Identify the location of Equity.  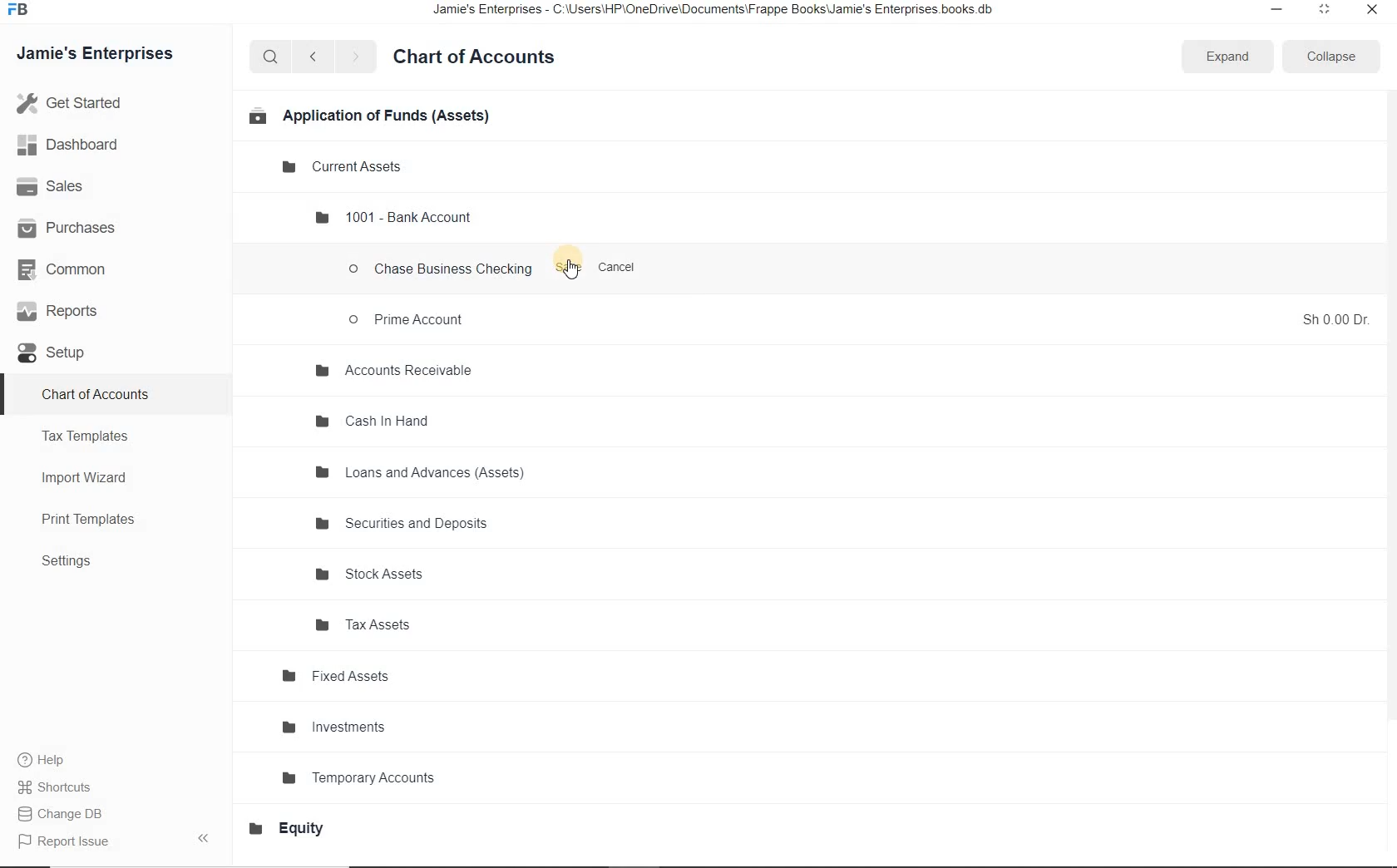
(295, 828).